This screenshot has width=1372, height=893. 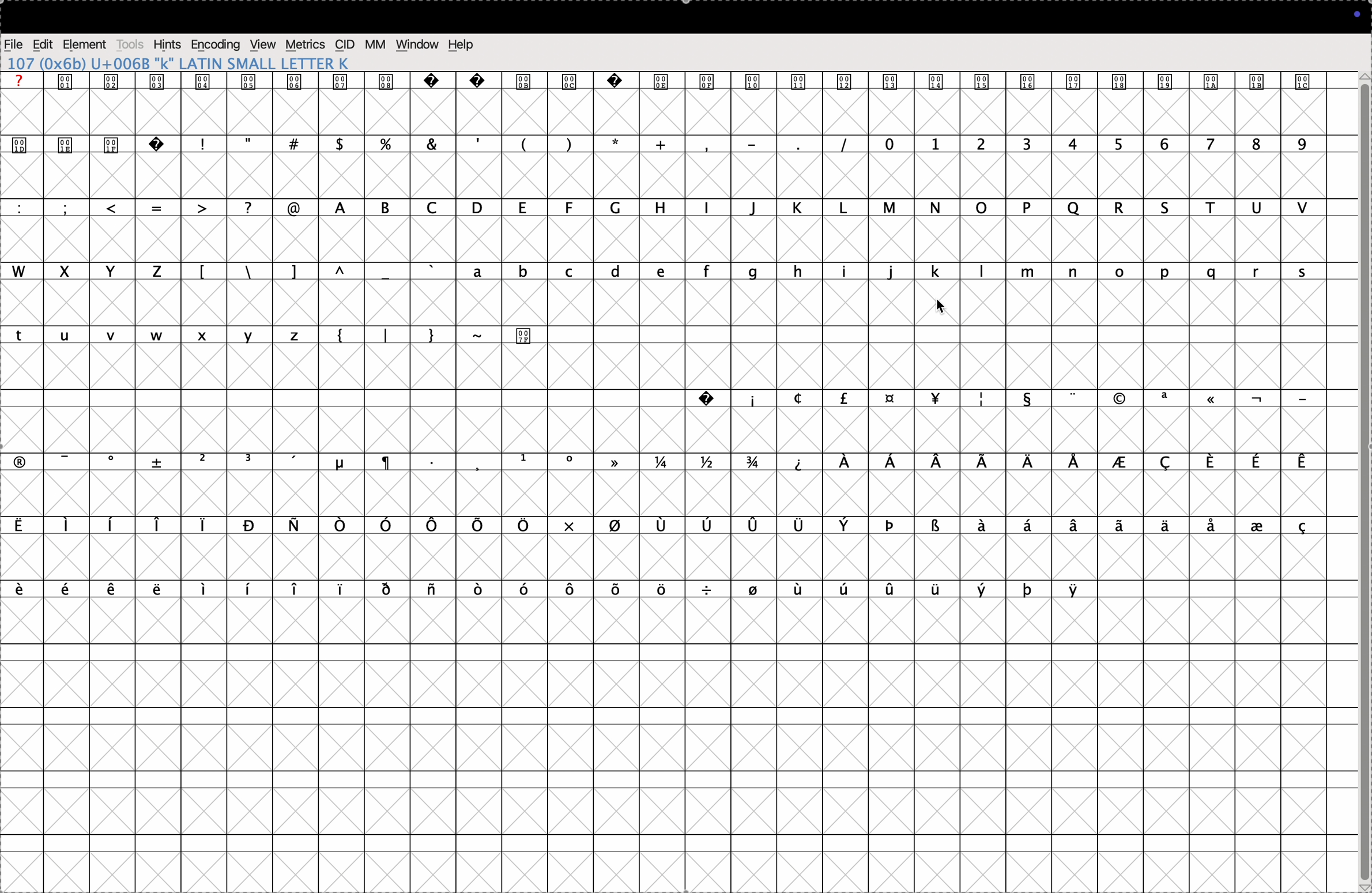 I want to click on C, so click(x=1167, y=461).